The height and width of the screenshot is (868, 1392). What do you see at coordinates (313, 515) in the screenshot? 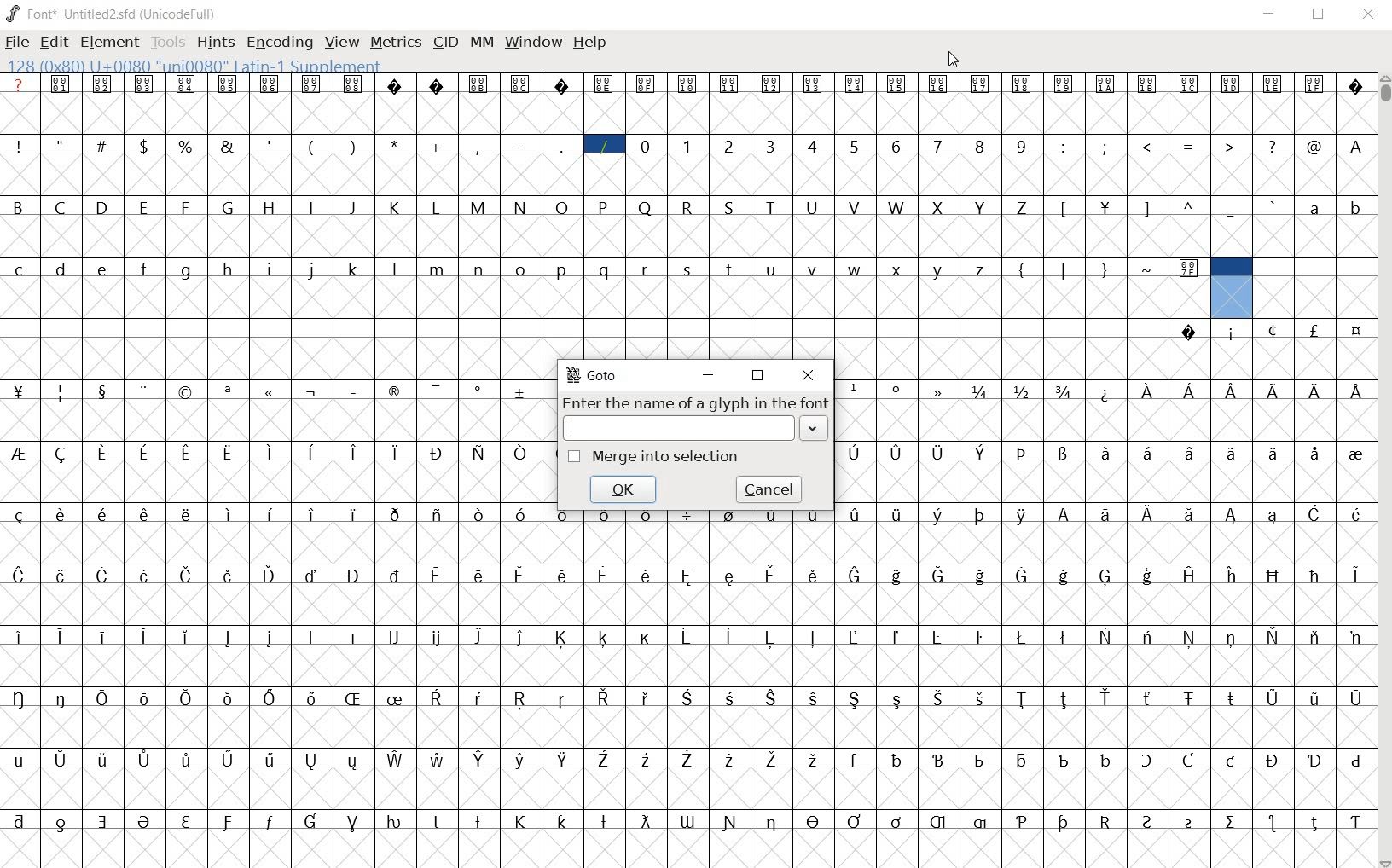
I see `Symbol` at bounding box center [313, 515].